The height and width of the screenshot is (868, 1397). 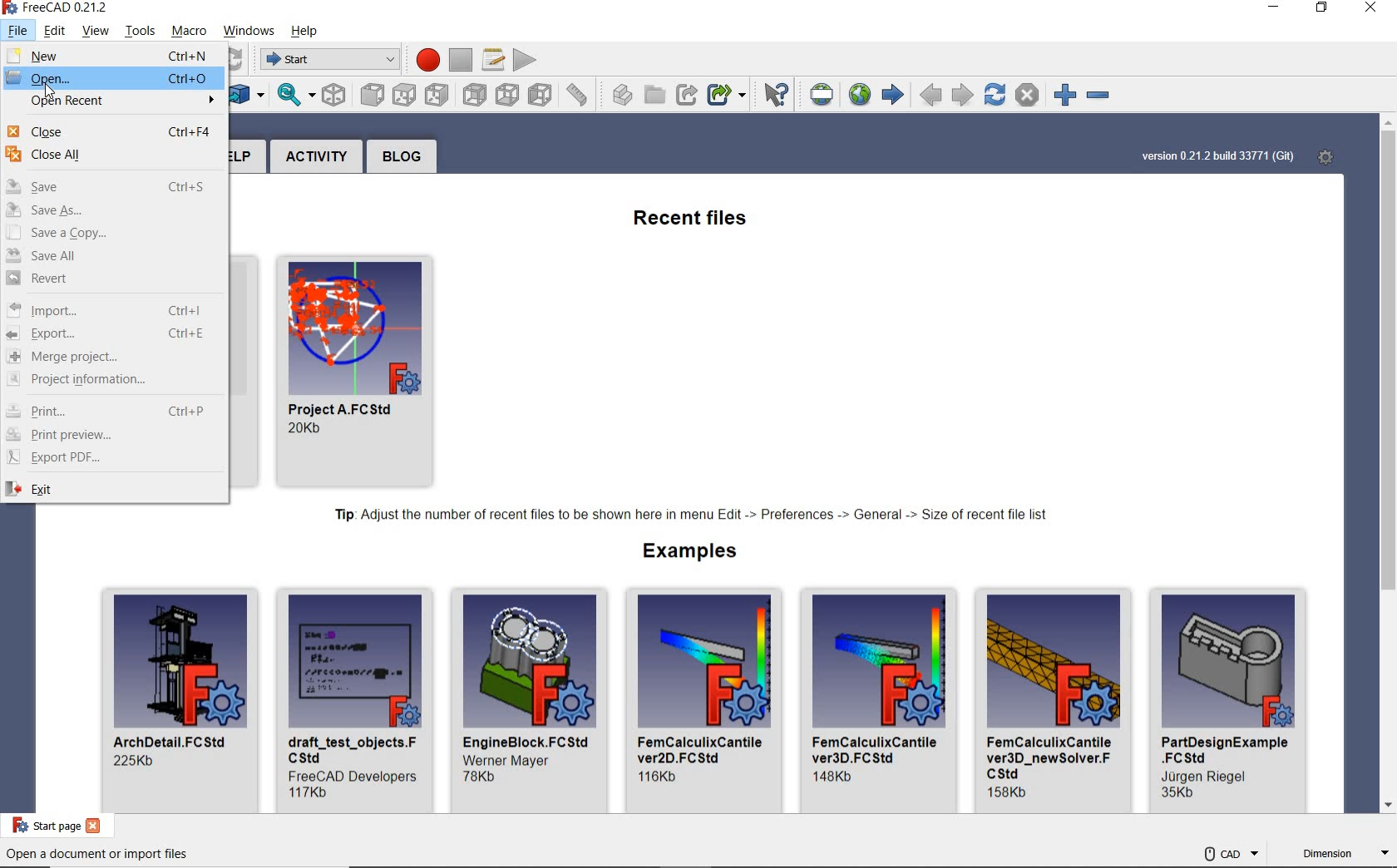 What do you see at coordinates (353, 748) in the screenshot?
I see `name` at bounding box center [353, 748].